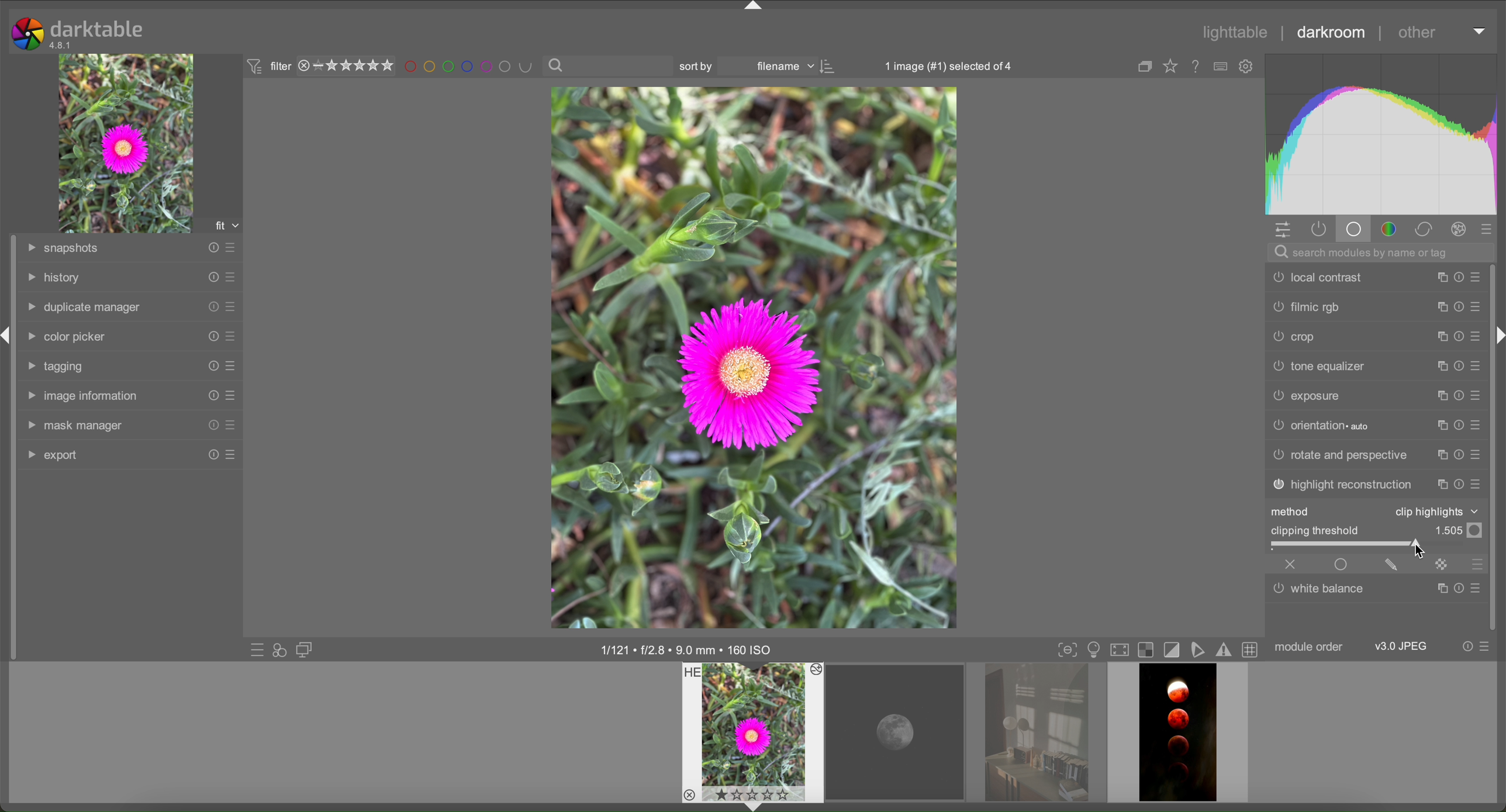 This screenshot has height=812, width=1506. I want to click on rotate and perspective, so click(1340, 454).